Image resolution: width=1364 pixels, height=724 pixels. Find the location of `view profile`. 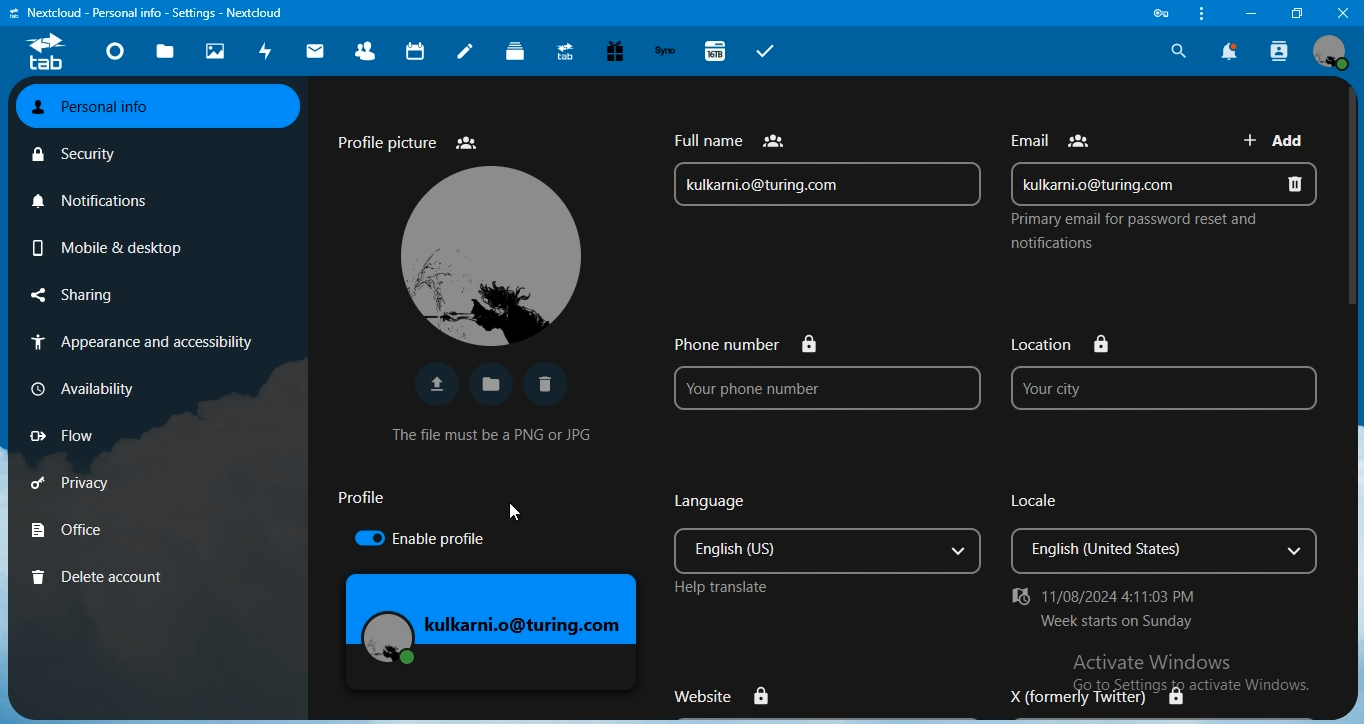

view profile is located at coordinates (1331, 52).